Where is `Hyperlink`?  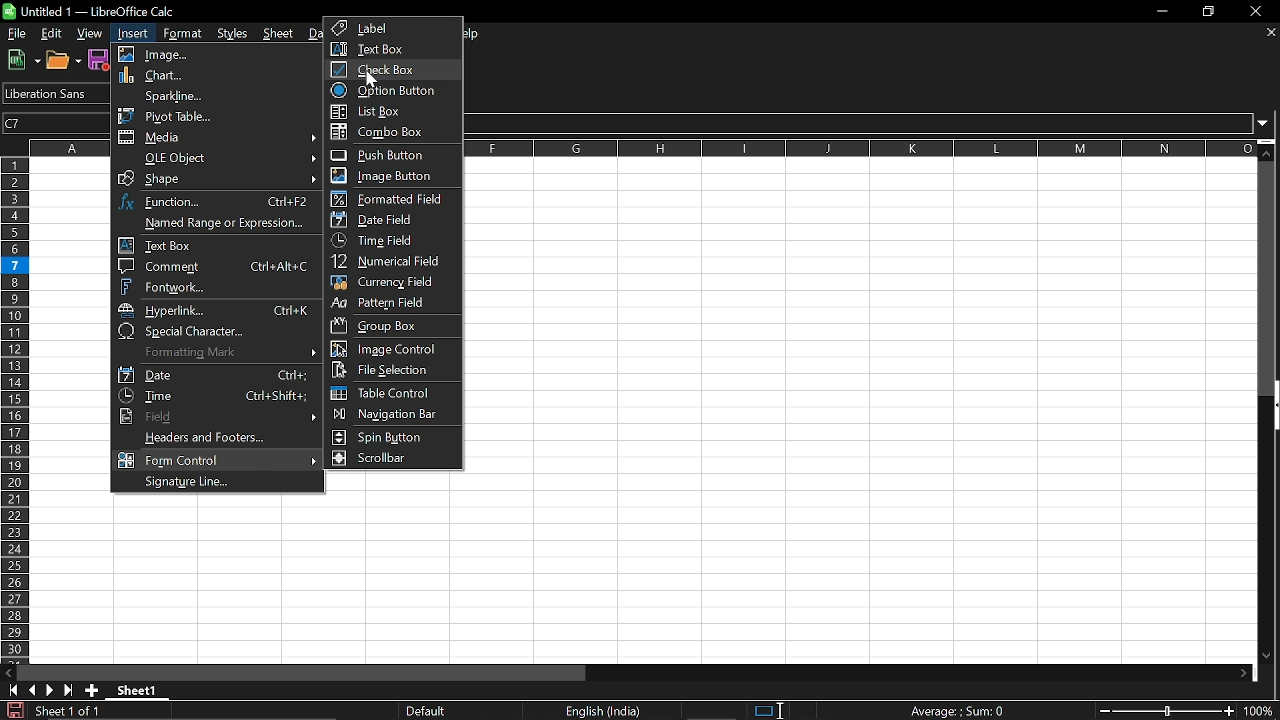 Hyperlink is located at coordinates (215, 311).